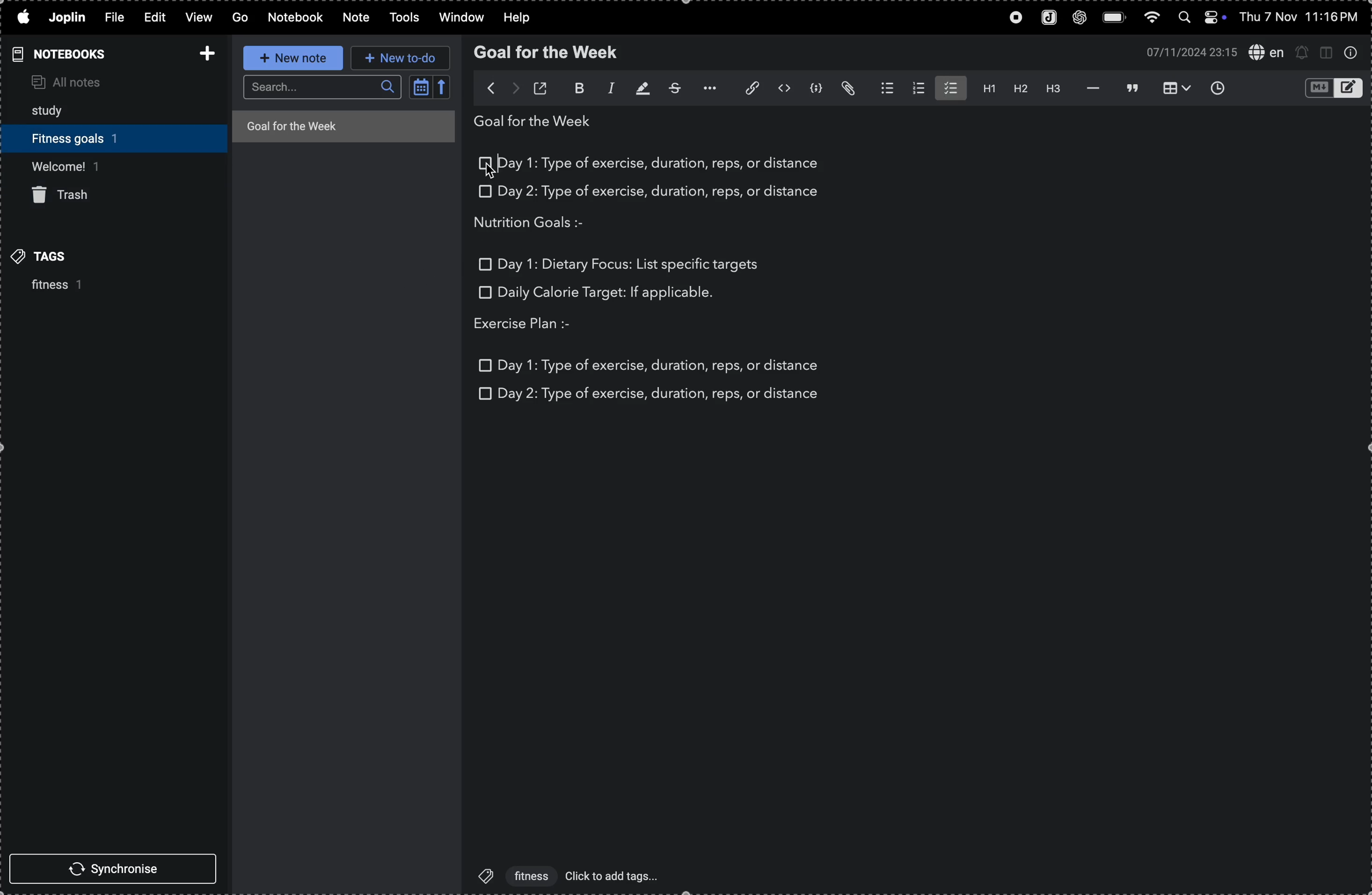  Describe the element at coordinates (515, 86) in the screenshot. I see `forward` at that location.